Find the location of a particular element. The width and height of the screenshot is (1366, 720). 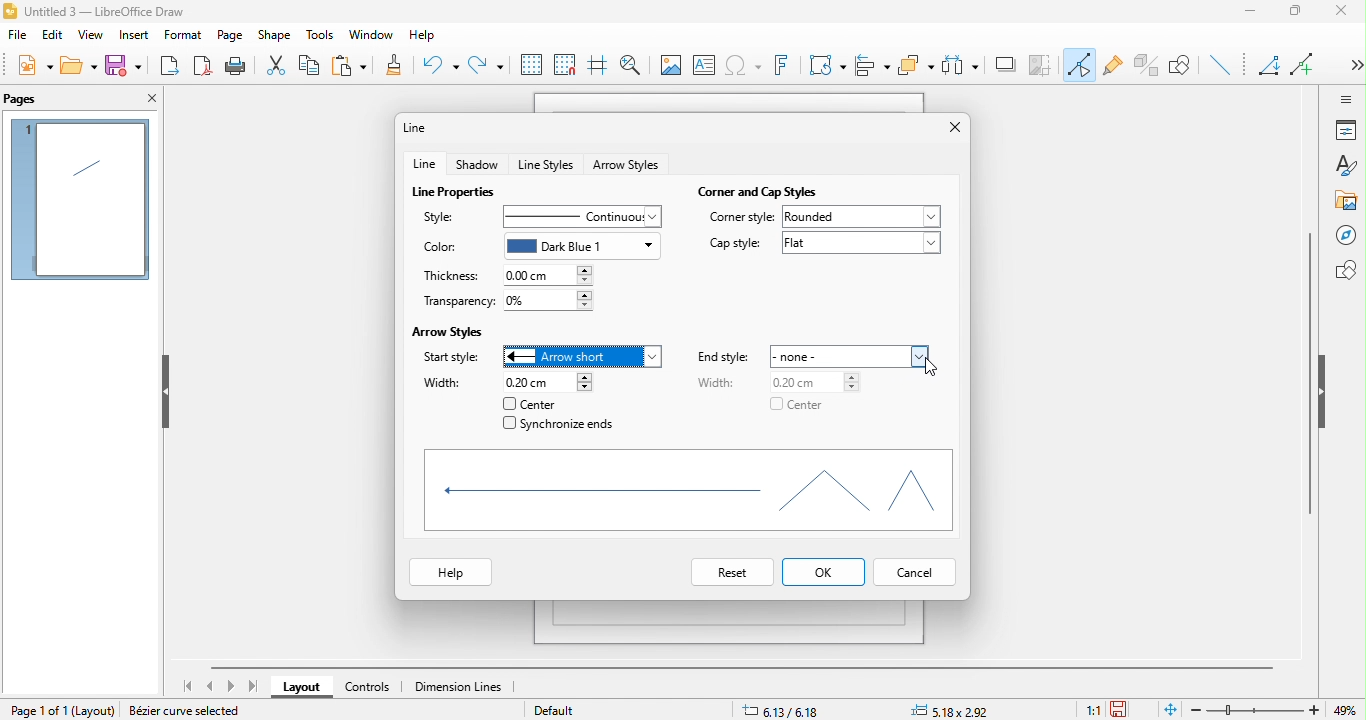

shadow is located at coordinates (1007, 65).